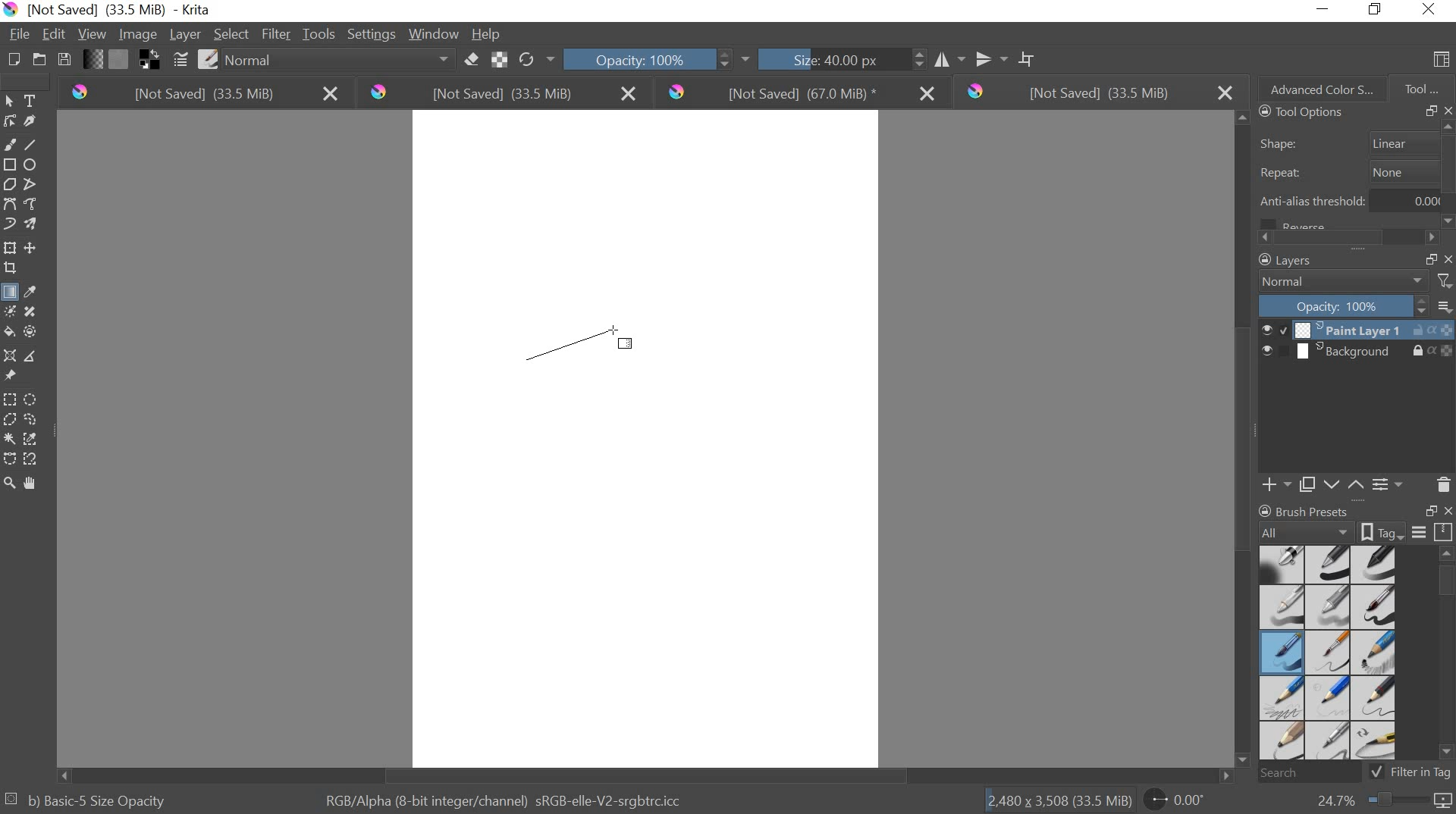 This screenshot has height=814, width=1456. I want to click on BRUSH PROPERTIES, so click(1313, 508).